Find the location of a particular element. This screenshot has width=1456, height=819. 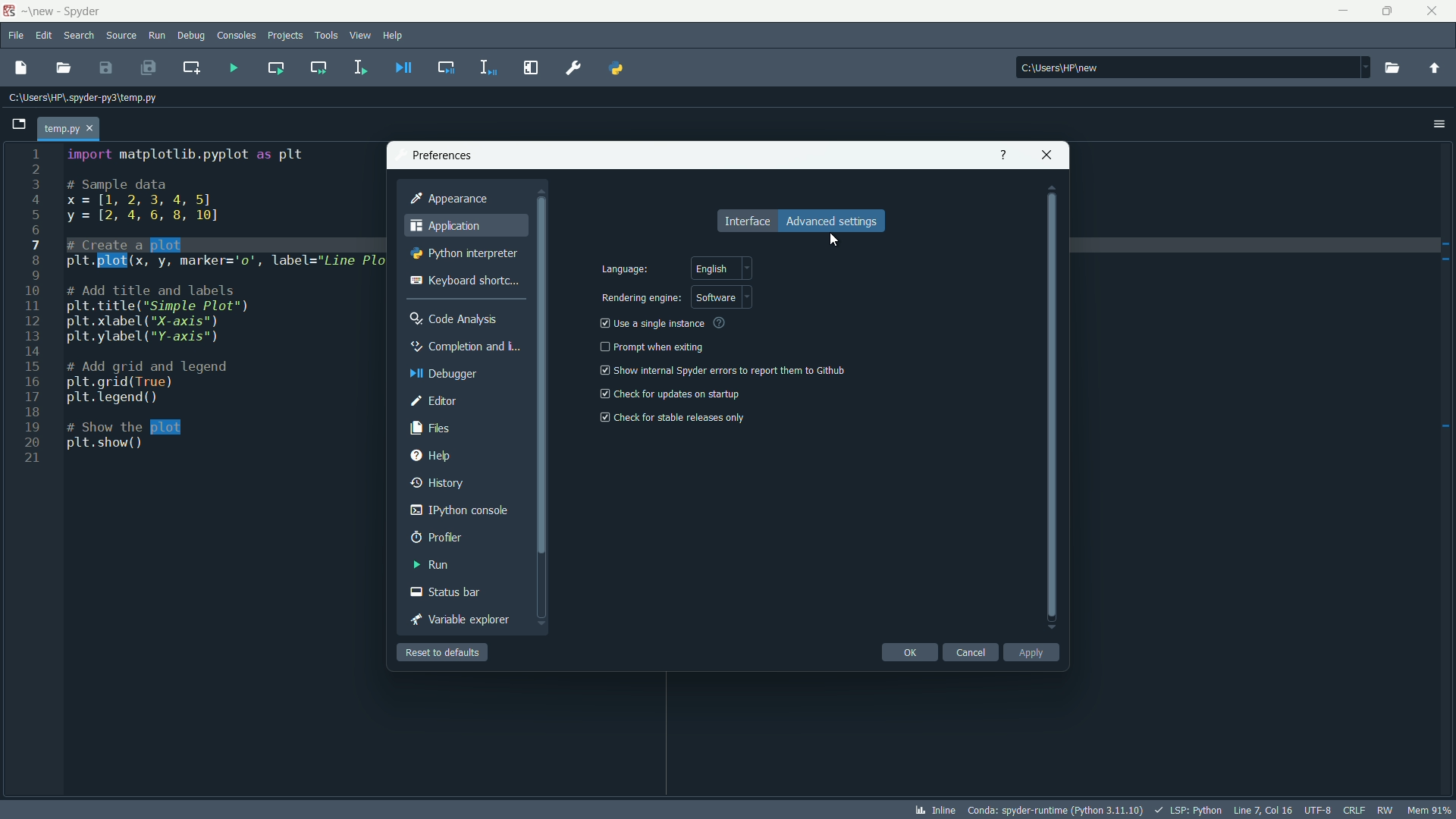

python interpreter is located at coordinates (463, 253).